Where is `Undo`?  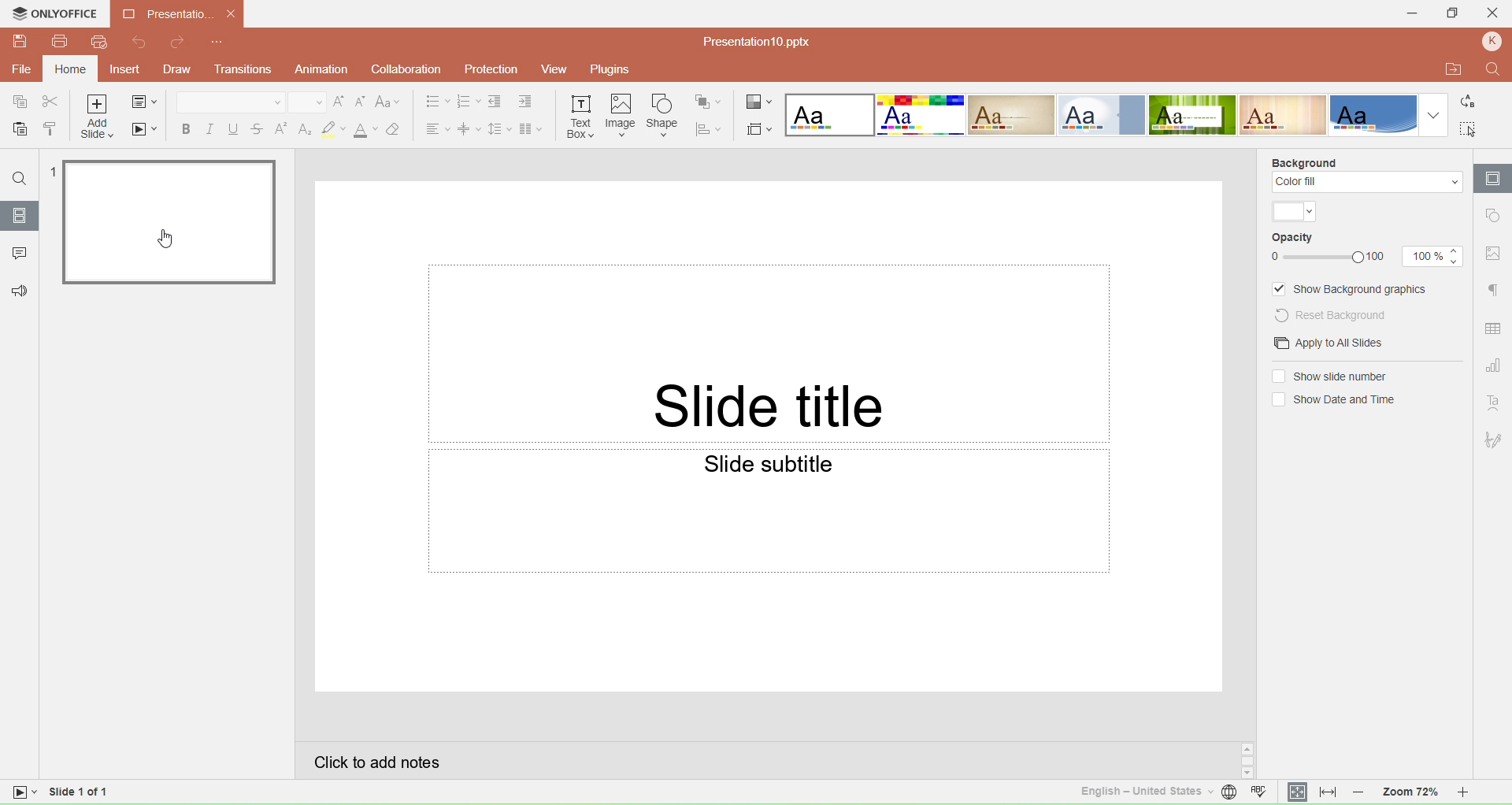
Undo is located at coordinates (143, 43).